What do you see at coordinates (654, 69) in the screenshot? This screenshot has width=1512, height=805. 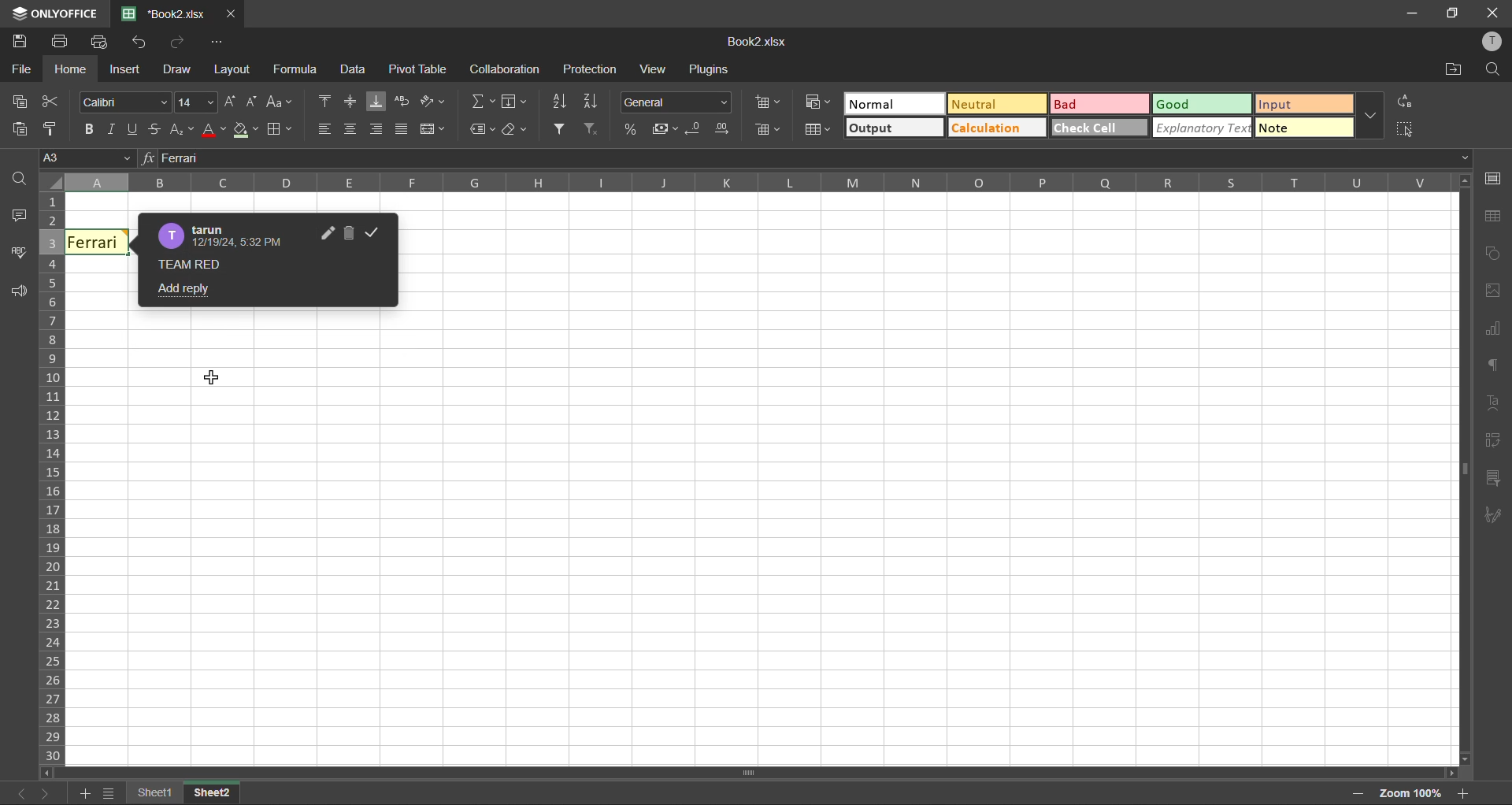 I see `view` at bounding box center [654, 69].